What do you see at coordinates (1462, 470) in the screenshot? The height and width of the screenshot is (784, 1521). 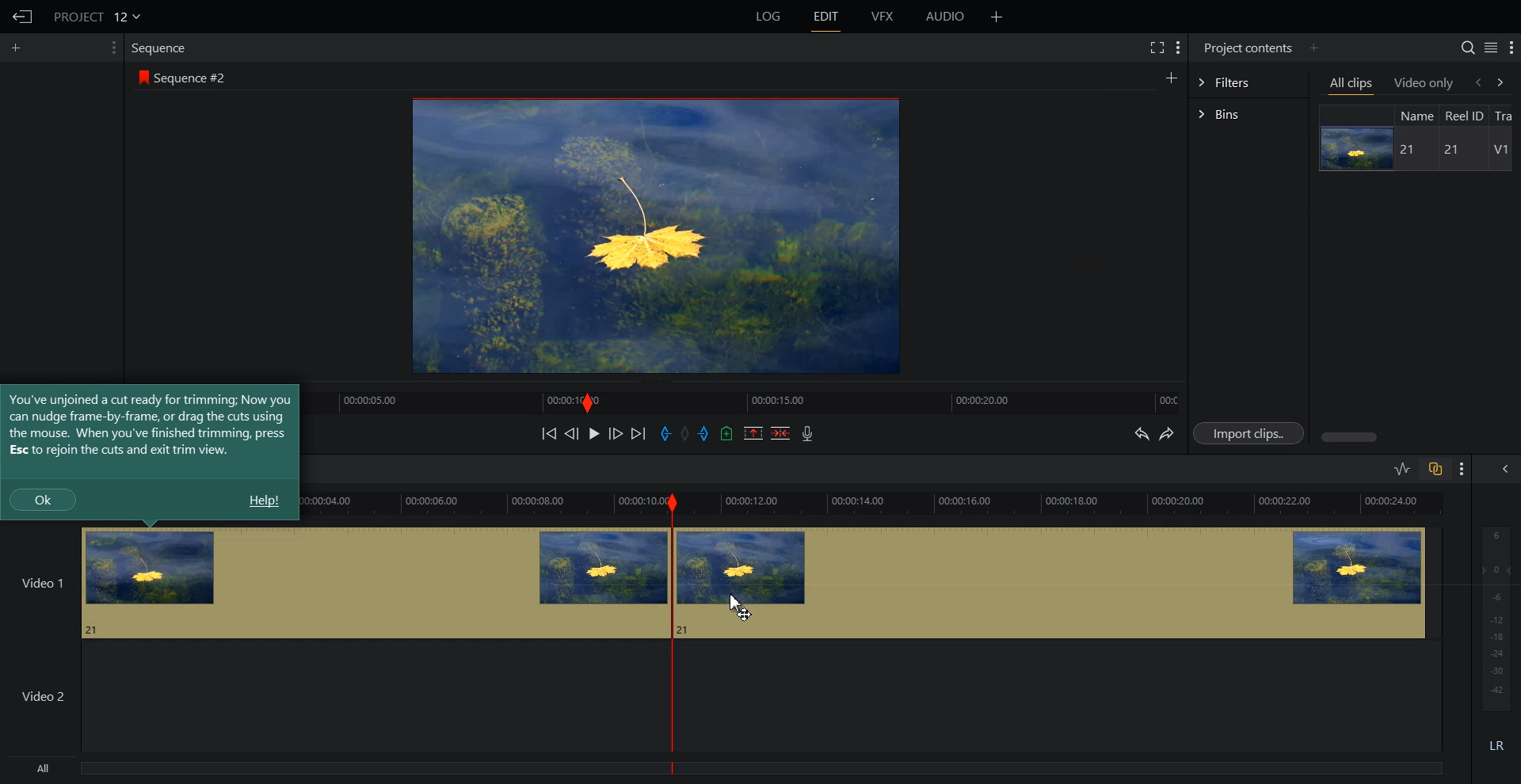 I see `Show Setting Menu` at bounding box center [1462, 470].